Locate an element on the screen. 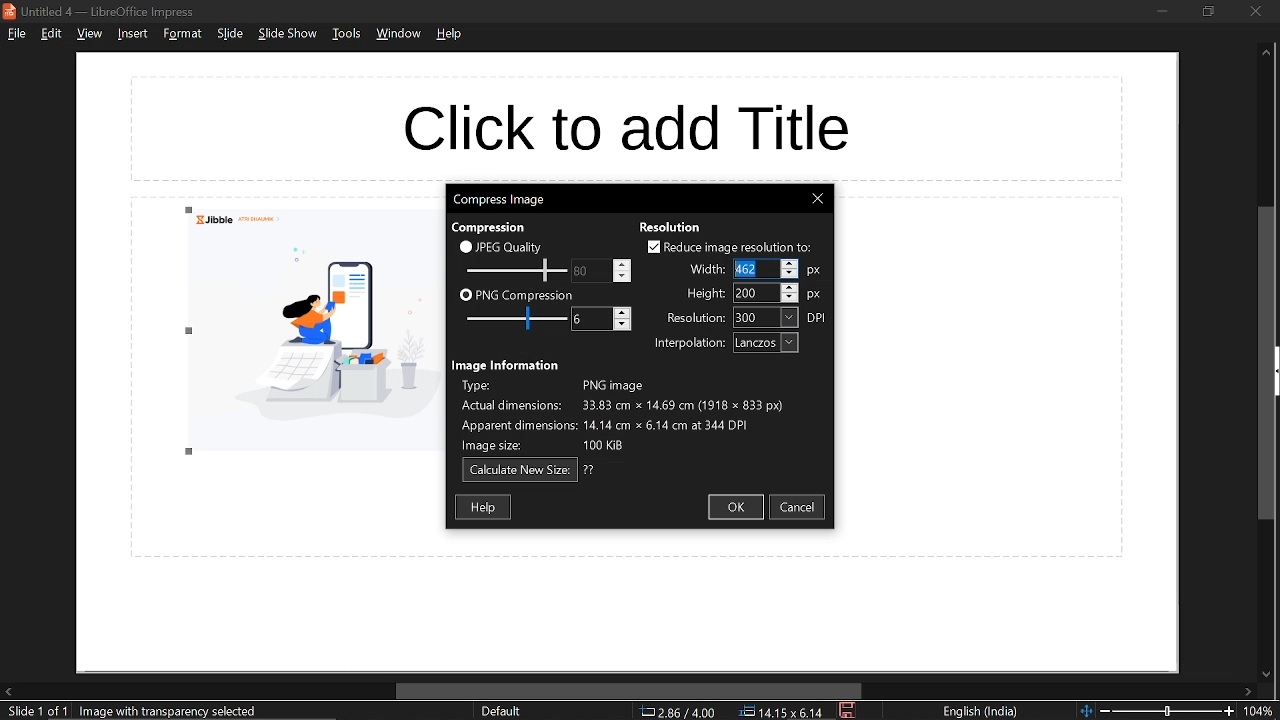 The image size is (1280, 720).  width is located at coordinates (754, 269).